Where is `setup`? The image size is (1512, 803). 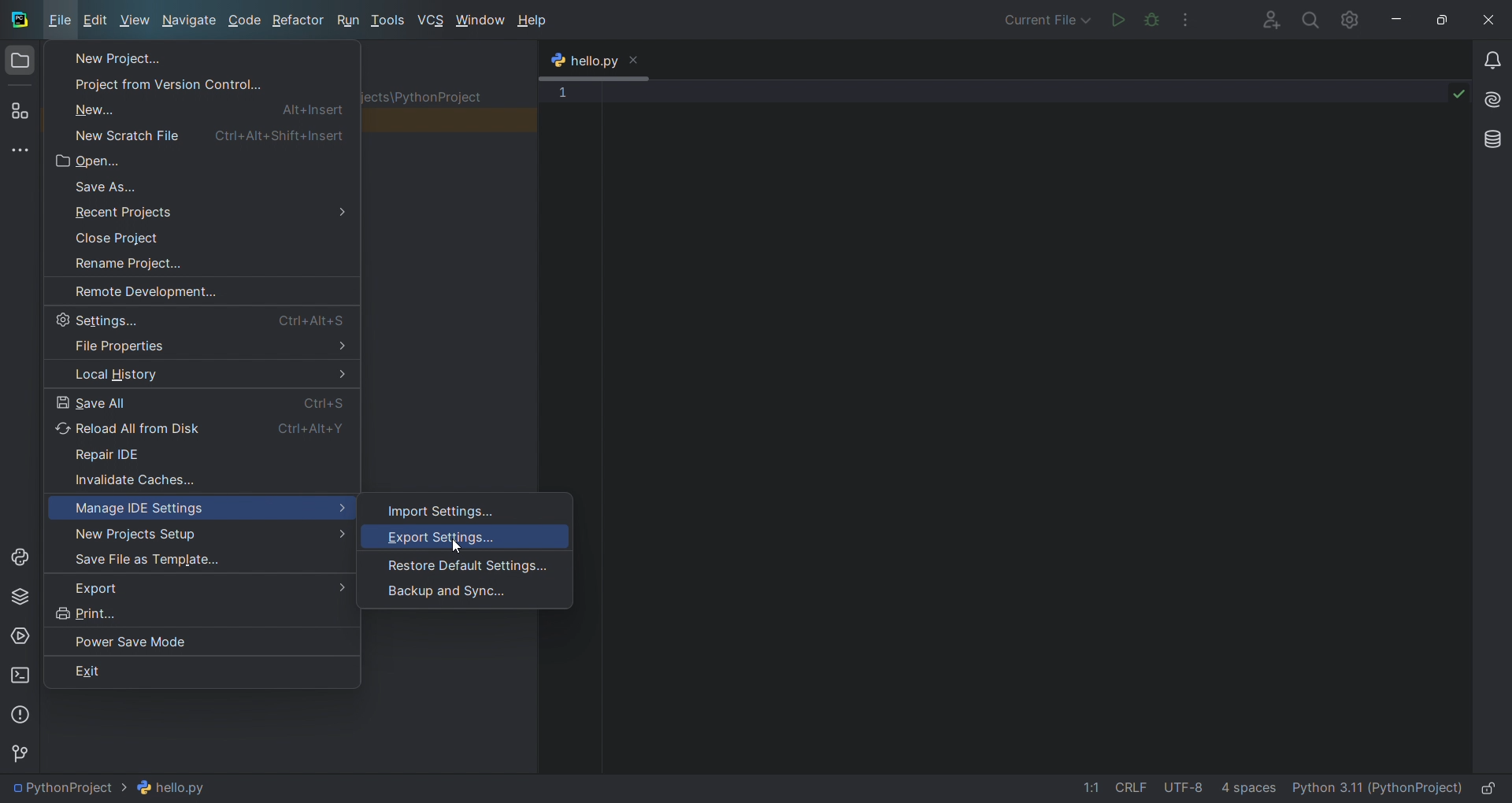 setup is located at coordinates (200, 532).